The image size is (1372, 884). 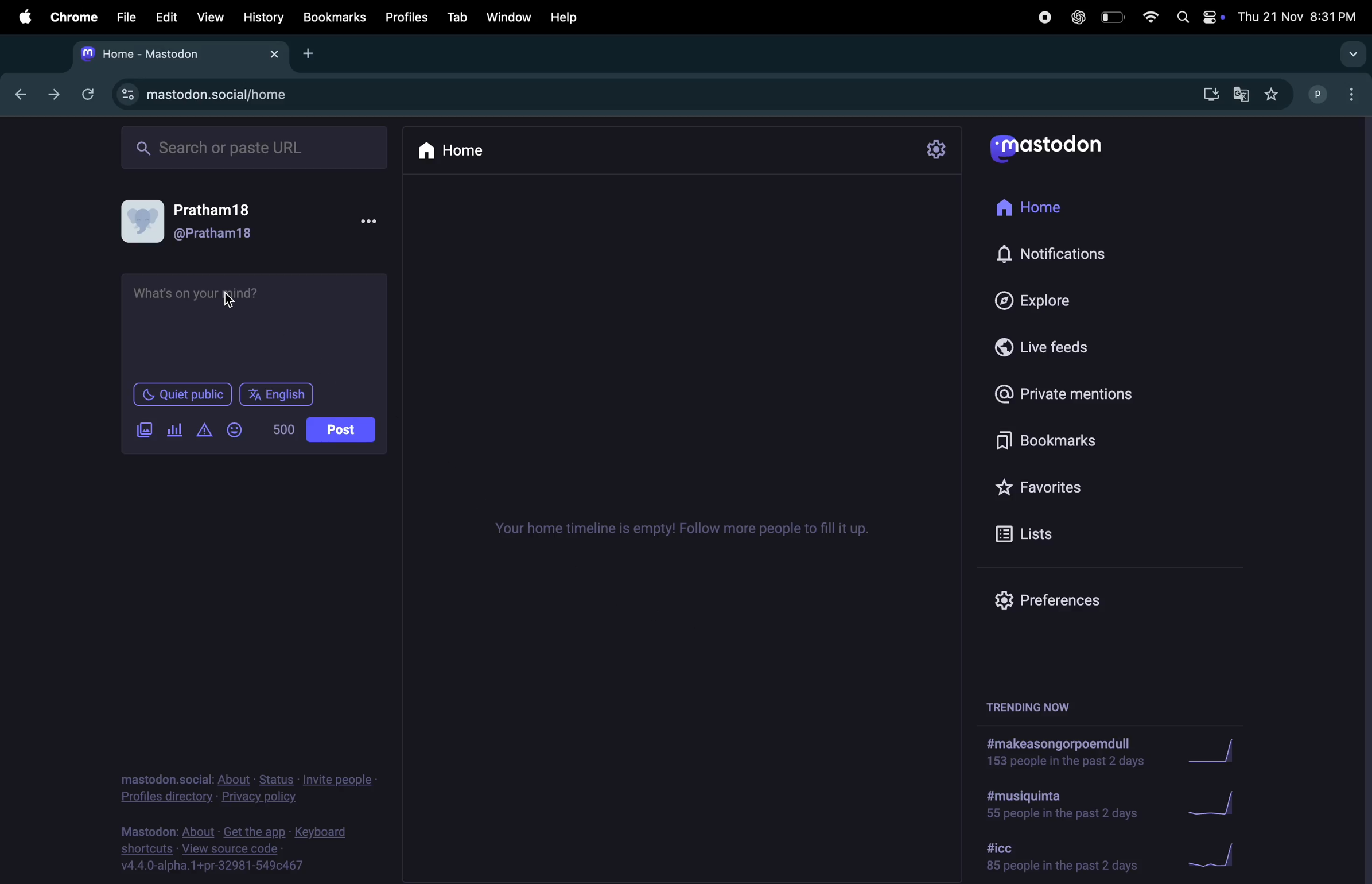 I want to click on notifications, so click(x=1056, y=253).